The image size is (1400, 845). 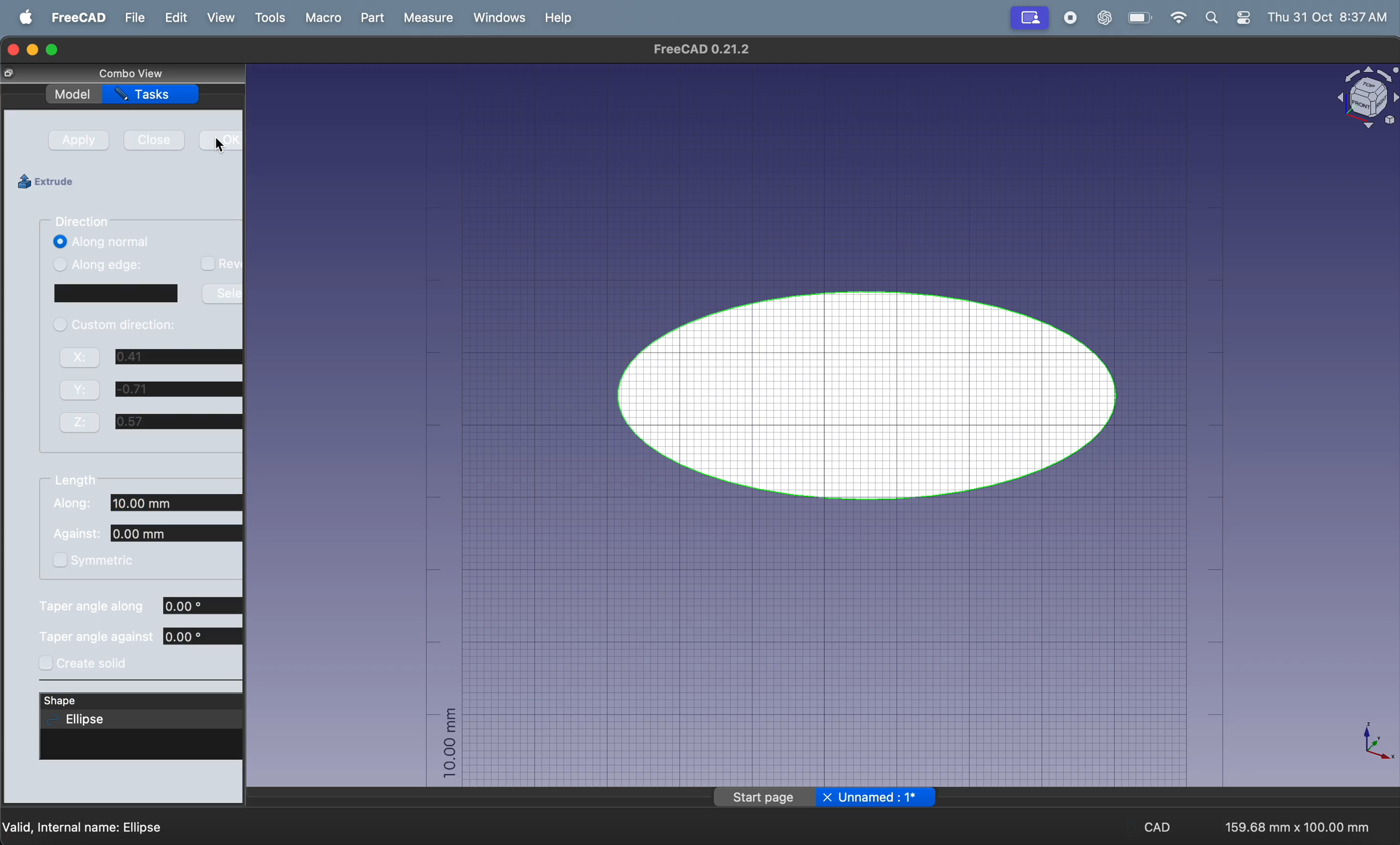 I want to click on cad, so click(x=1159, y=825).